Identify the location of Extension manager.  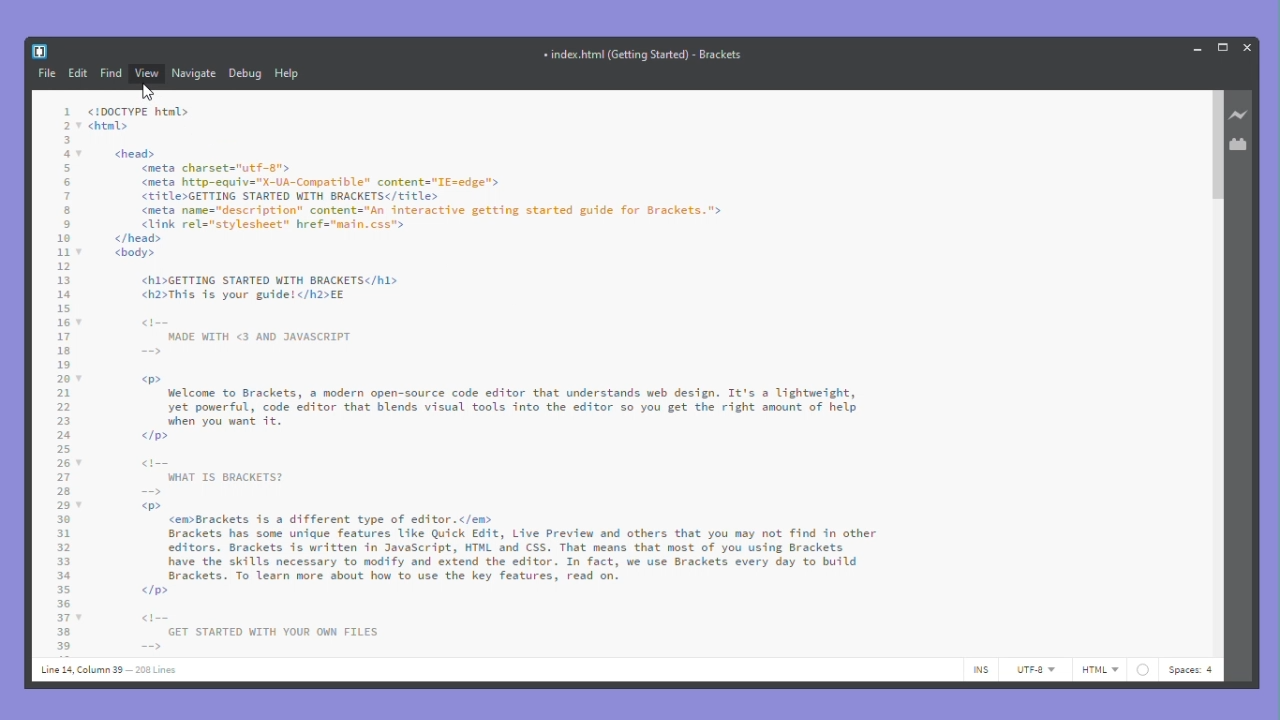
(1241, 144).